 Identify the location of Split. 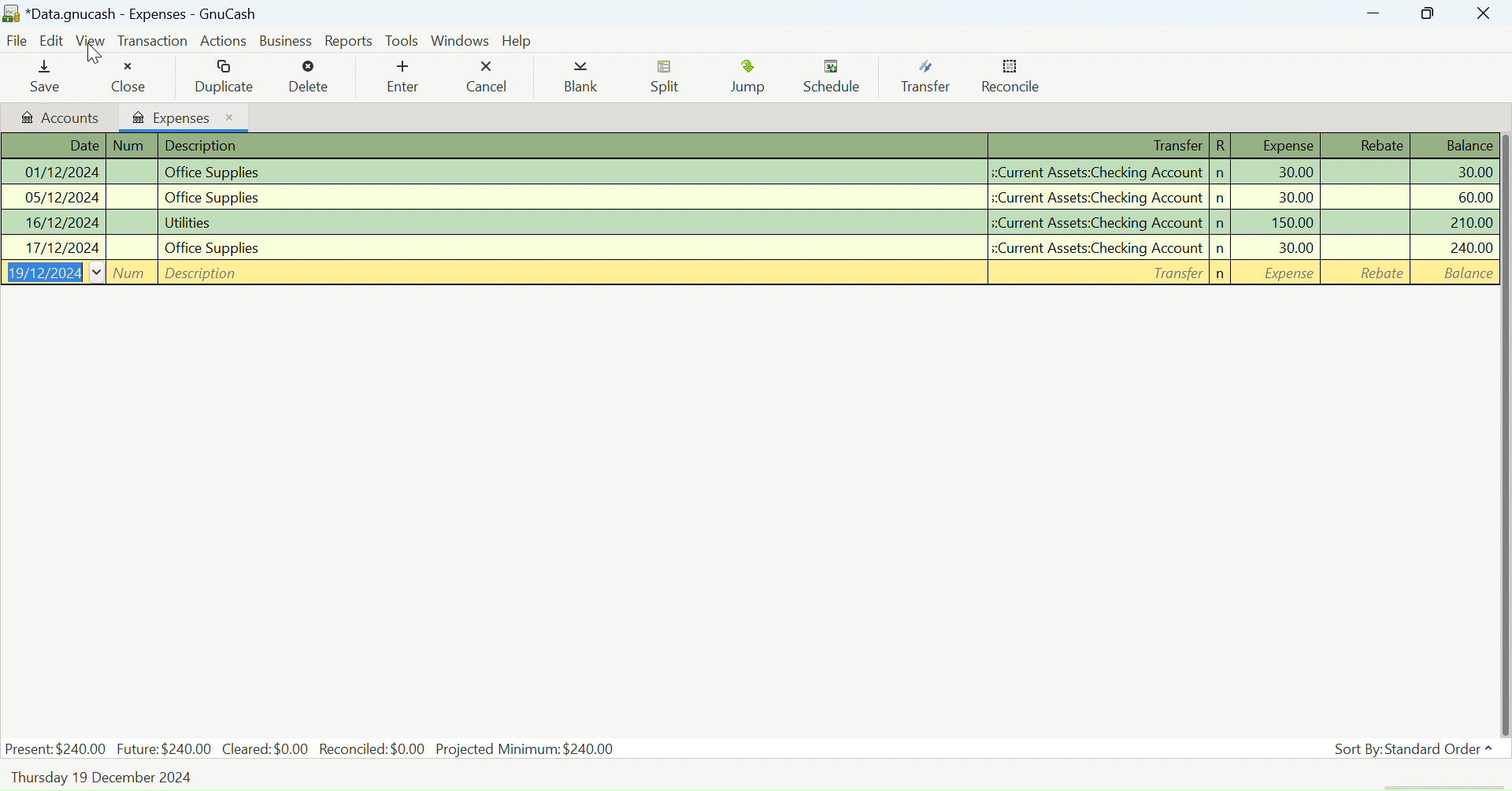
(669, 79).